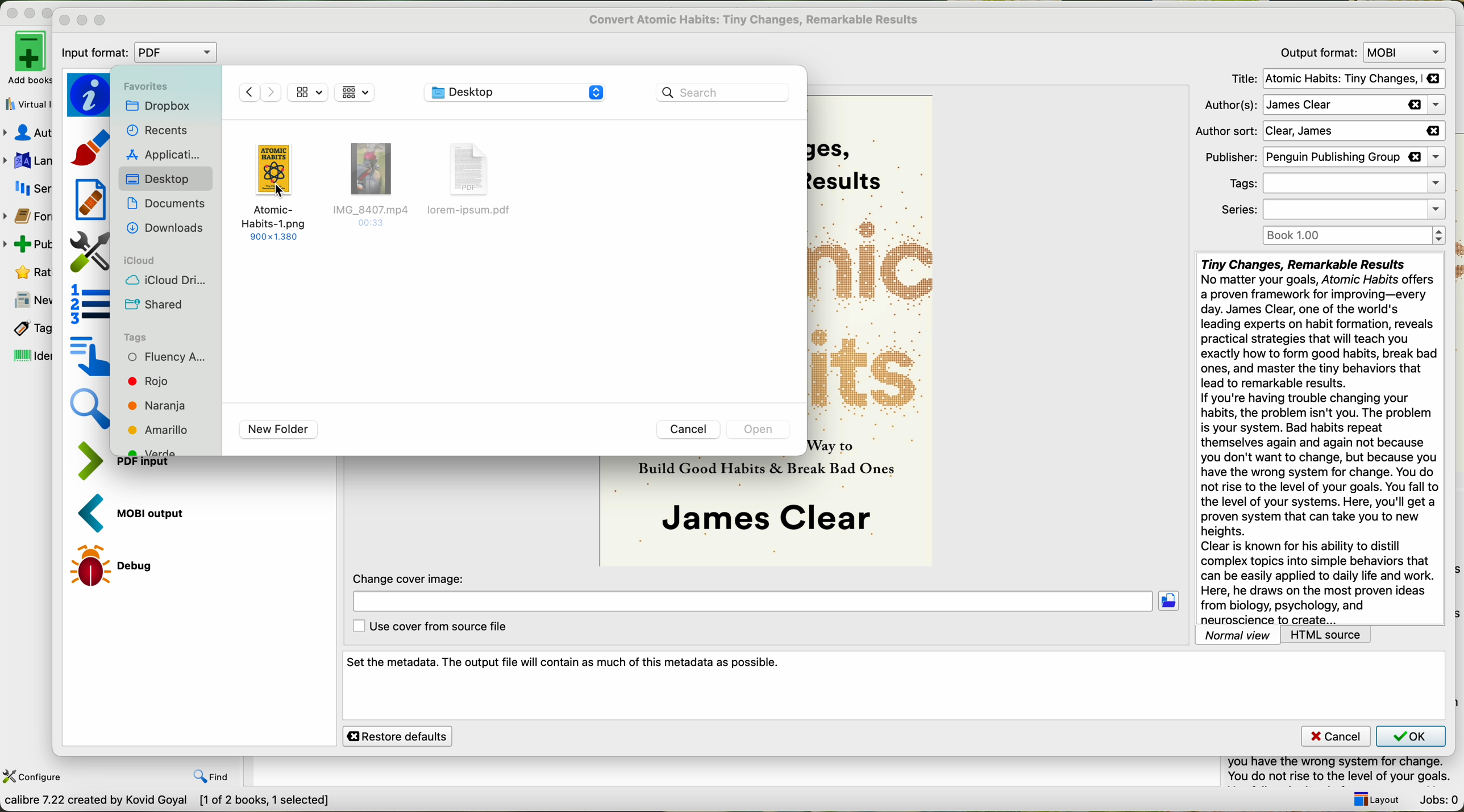 This screenshot has height=812, width=1464. I want to click on layout, so click(1373, 799).